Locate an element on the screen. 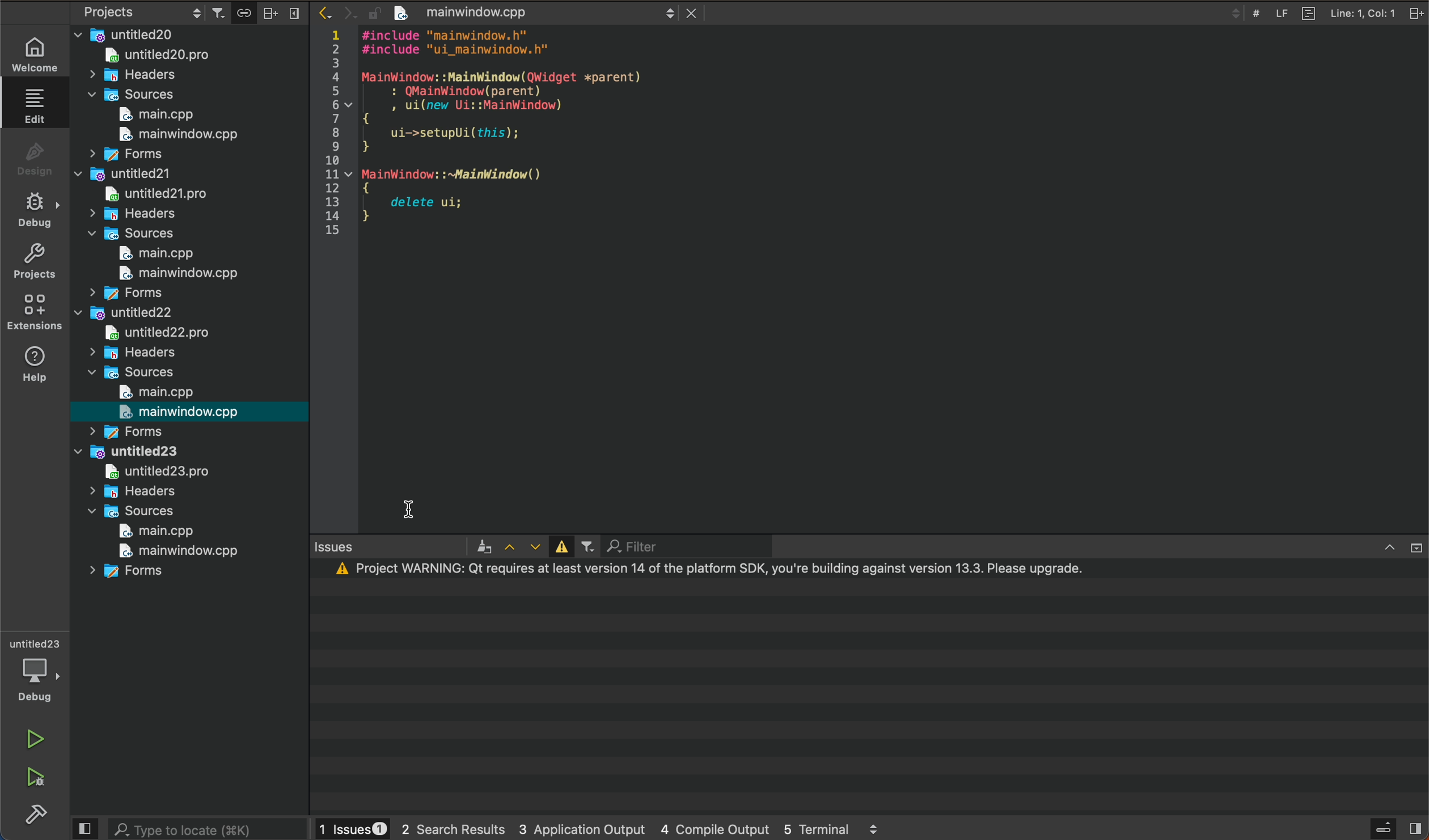 The image size is (1429, 840). untitled21 is located at coordinates (122, 173).